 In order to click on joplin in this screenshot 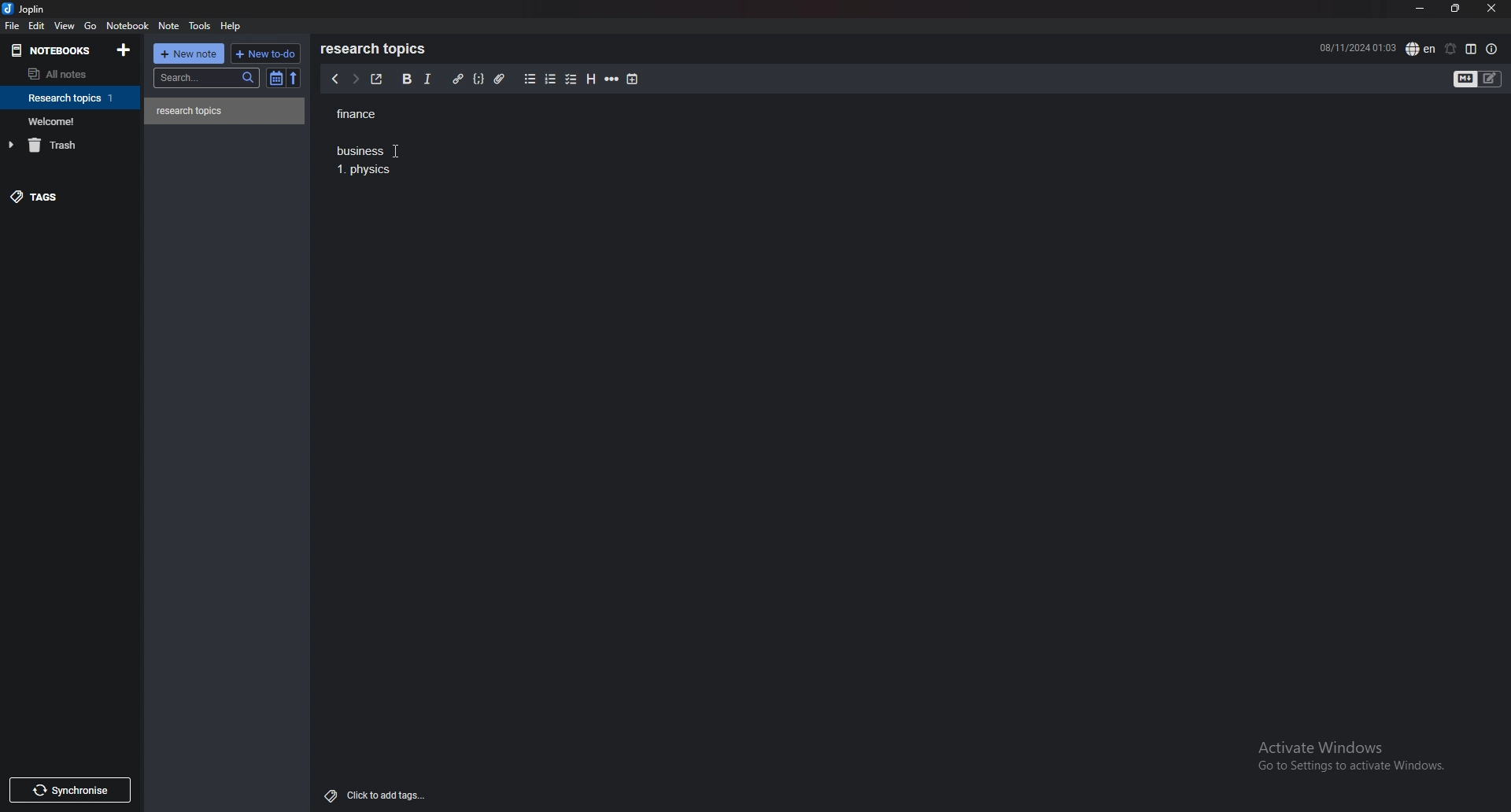, I will do `click(25, 10)`.